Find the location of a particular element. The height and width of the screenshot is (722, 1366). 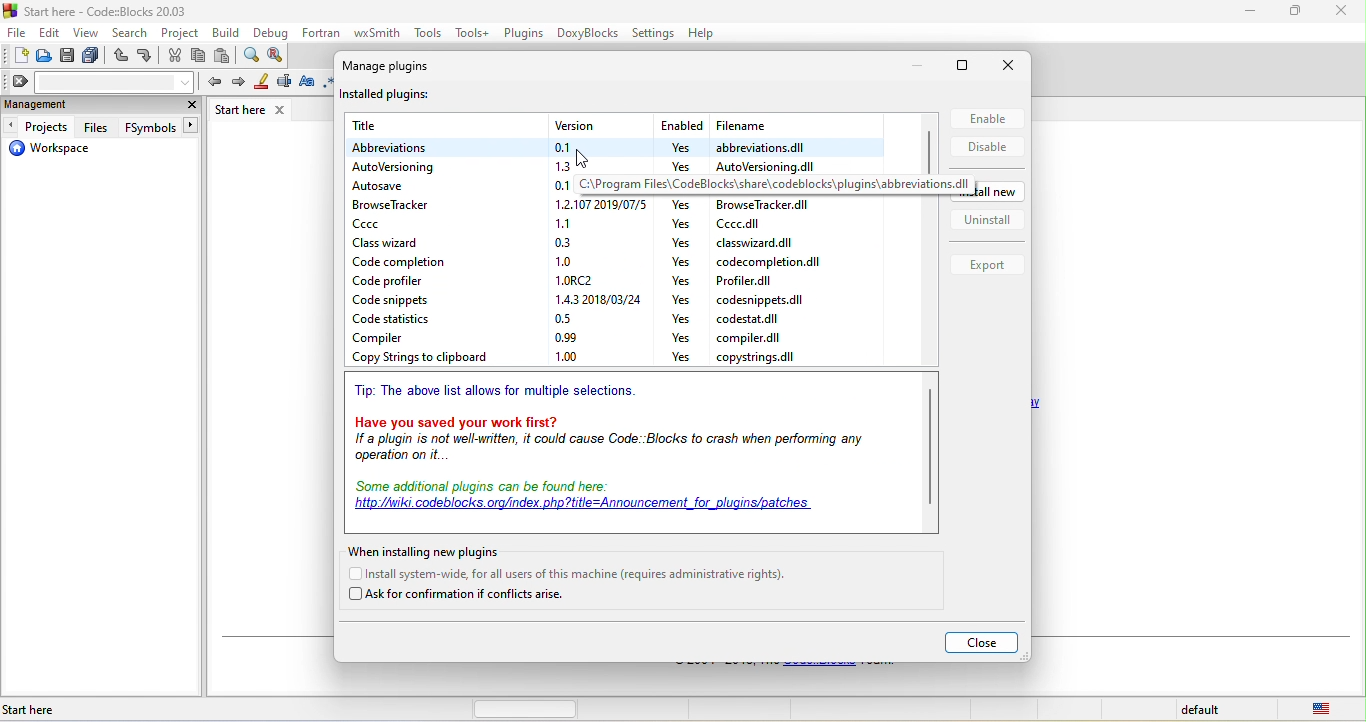

title is located at coordinates (432, 126).